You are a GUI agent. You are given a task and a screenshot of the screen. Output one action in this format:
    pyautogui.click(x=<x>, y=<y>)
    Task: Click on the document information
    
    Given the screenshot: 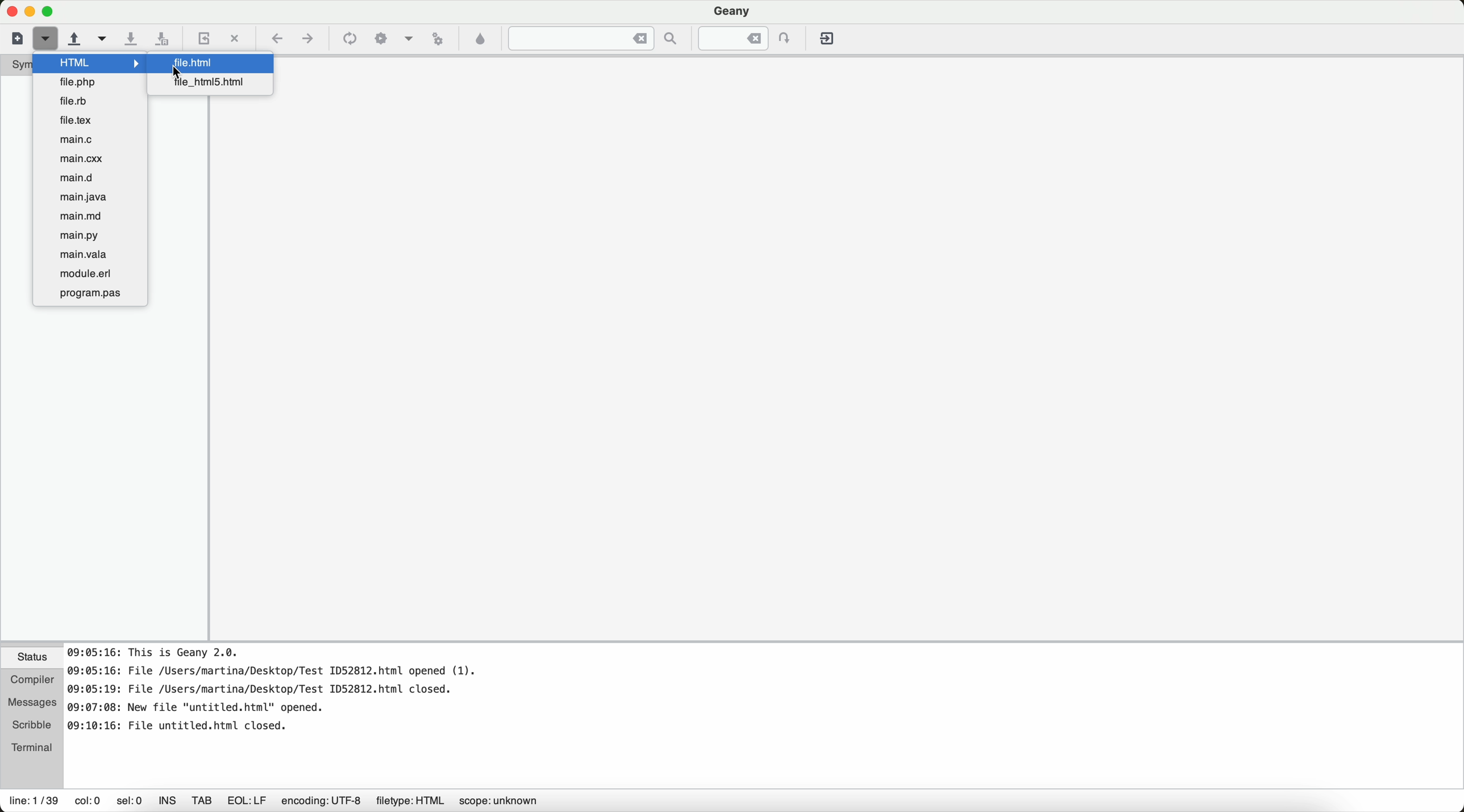 What is the action you would take?
    pyautogui.click(x=762, y=715)
    